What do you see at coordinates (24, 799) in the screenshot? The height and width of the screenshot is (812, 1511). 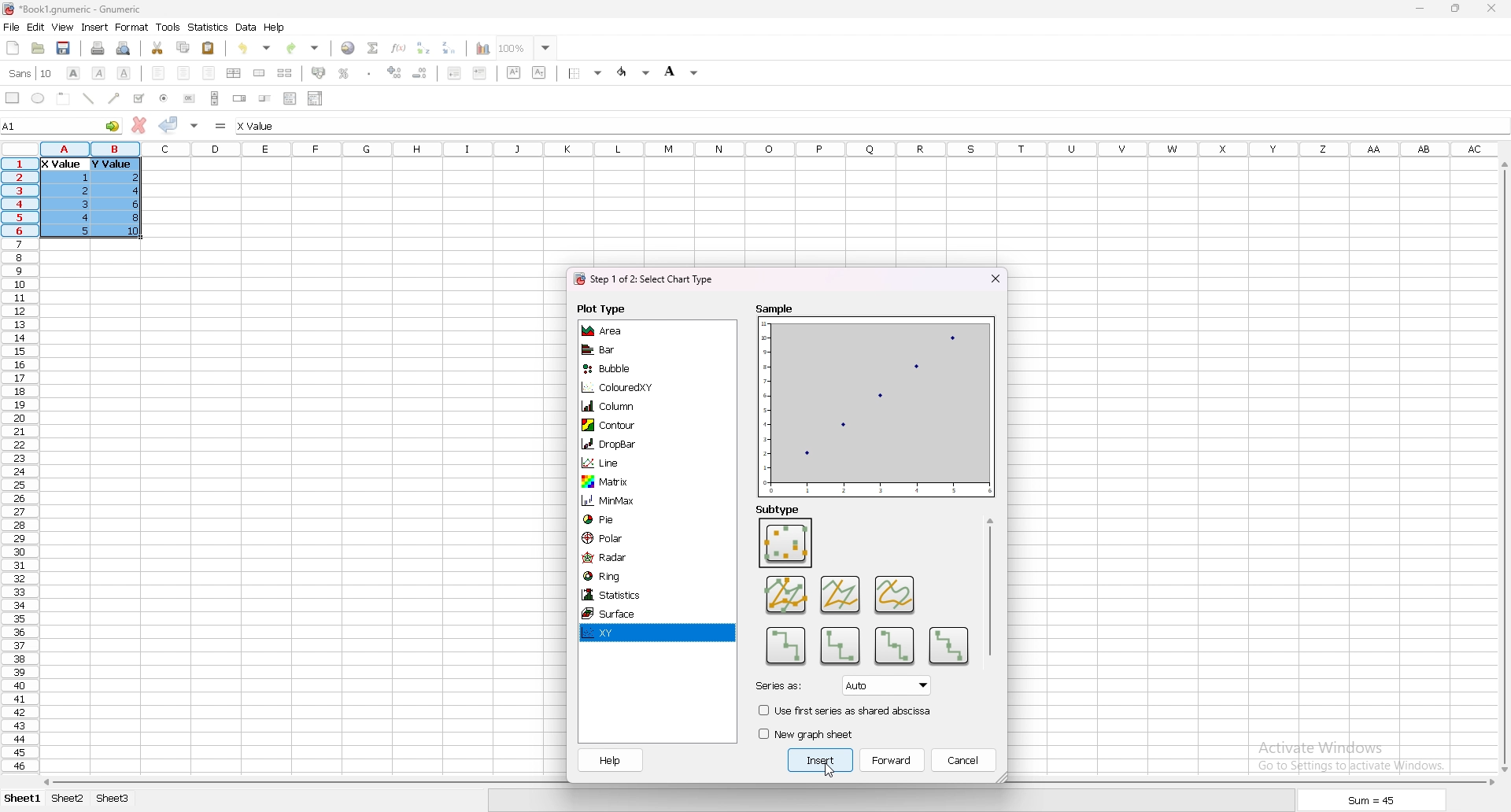 I see `sheet 1` at bounding box center [24, 799].